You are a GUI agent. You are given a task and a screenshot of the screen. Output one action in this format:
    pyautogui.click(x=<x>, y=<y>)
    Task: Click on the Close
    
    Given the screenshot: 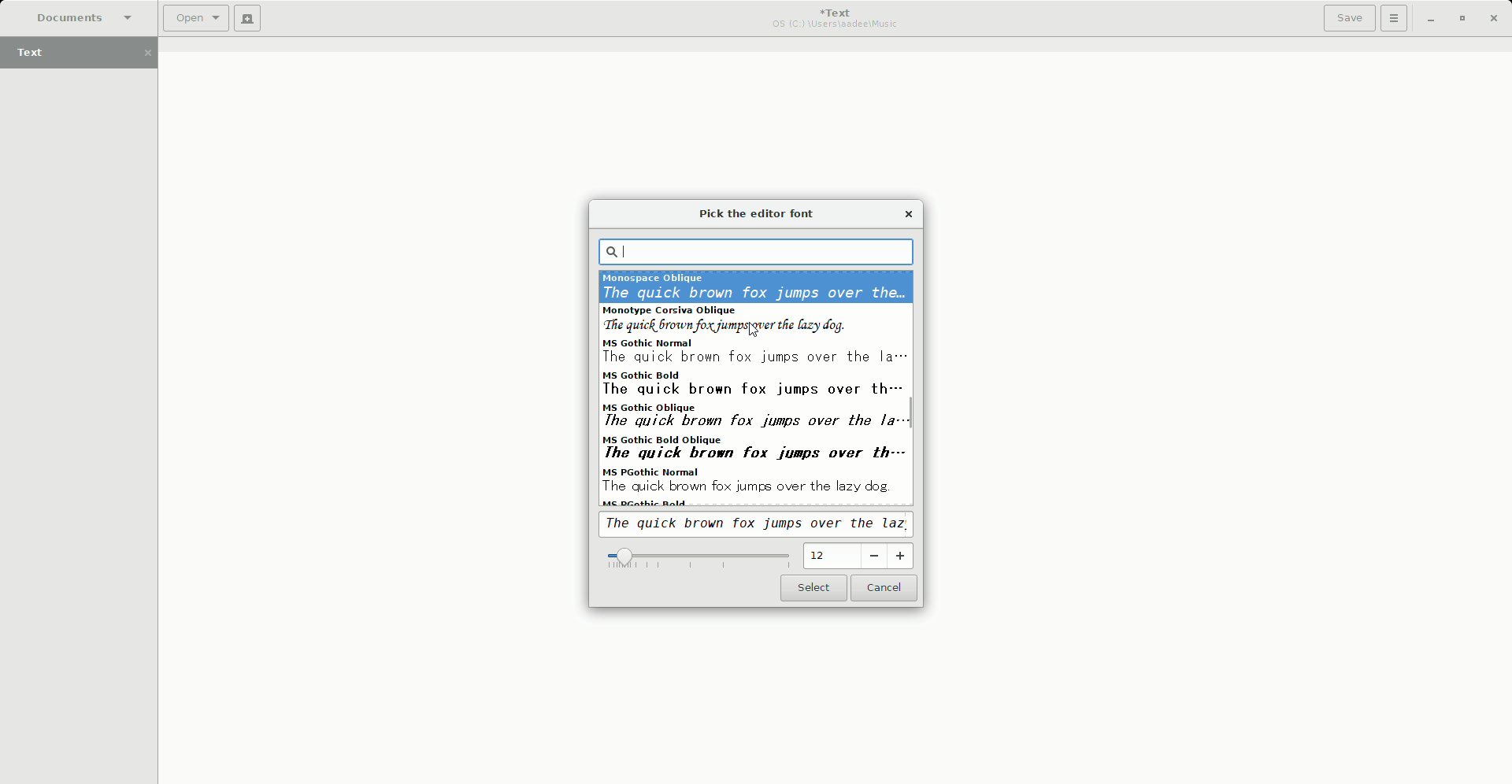 What is the action you would take?
    pyautogui.click(x=1495, y=19)
    